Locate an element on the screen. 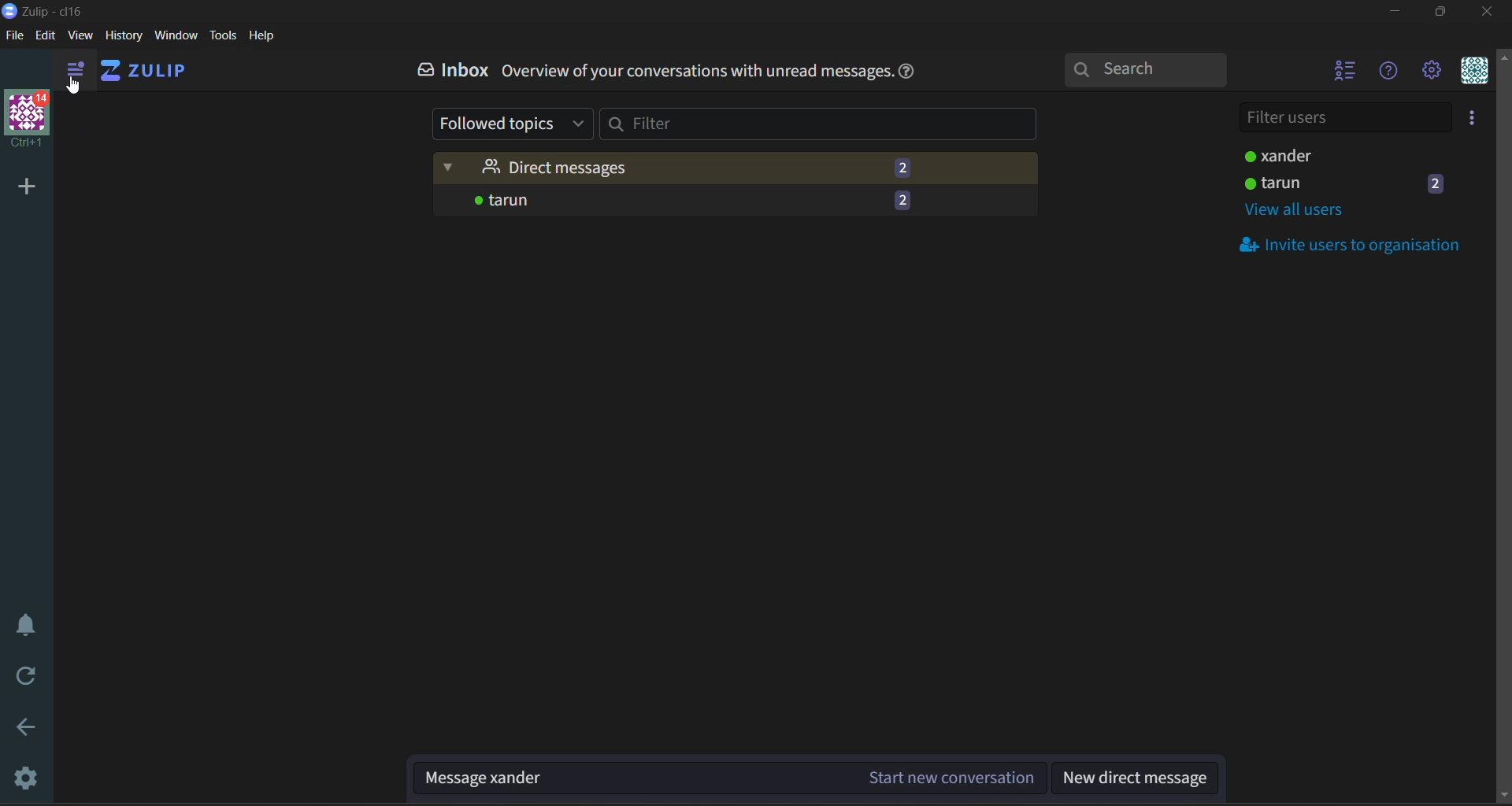 This screenshot has width=1512, height=806. Message xander (Start new conversation) is located at coordinates (725, 779).